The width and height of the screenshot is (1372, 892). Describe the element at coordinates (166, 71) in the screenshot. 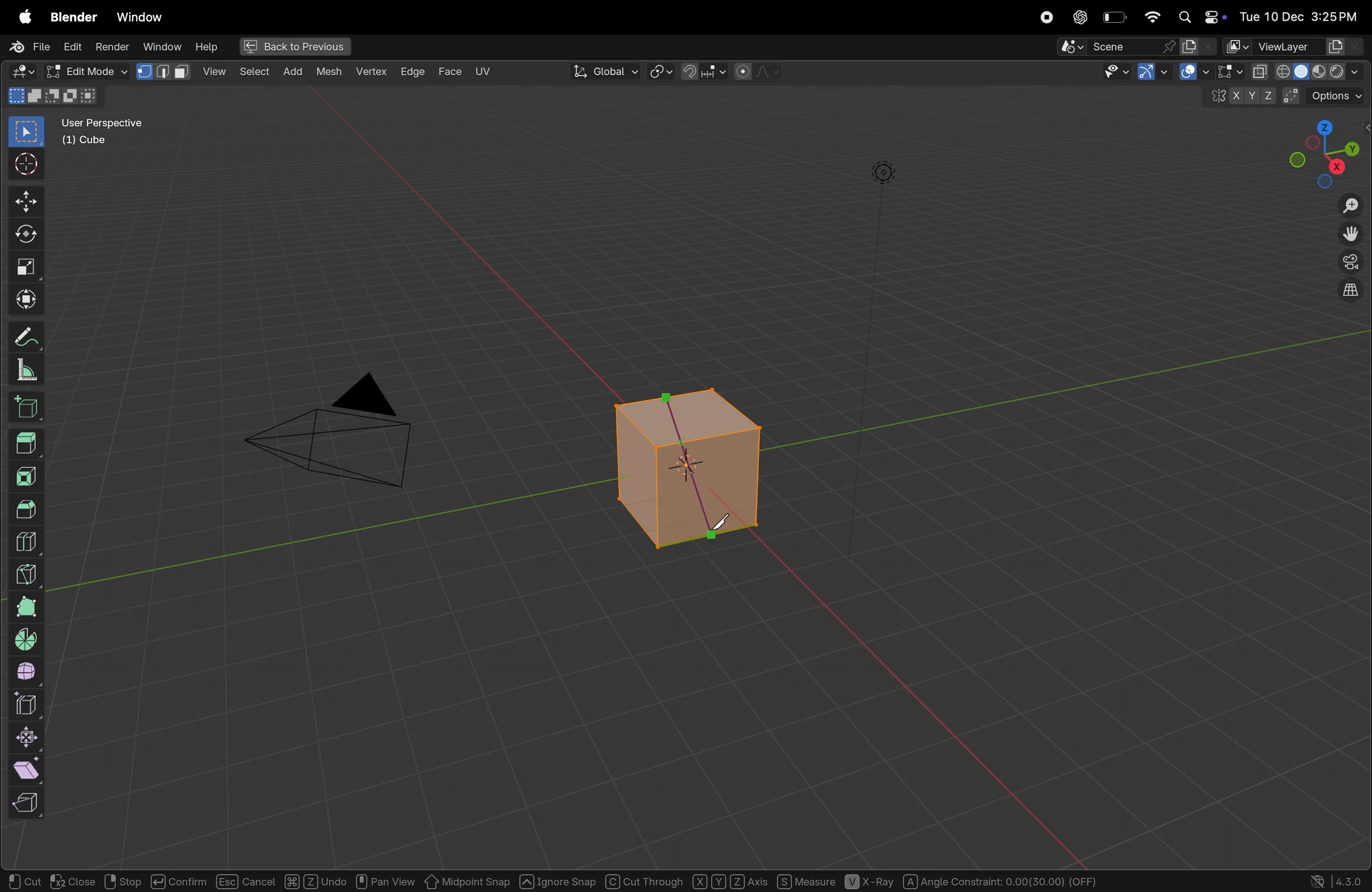

I see `View` at that location.